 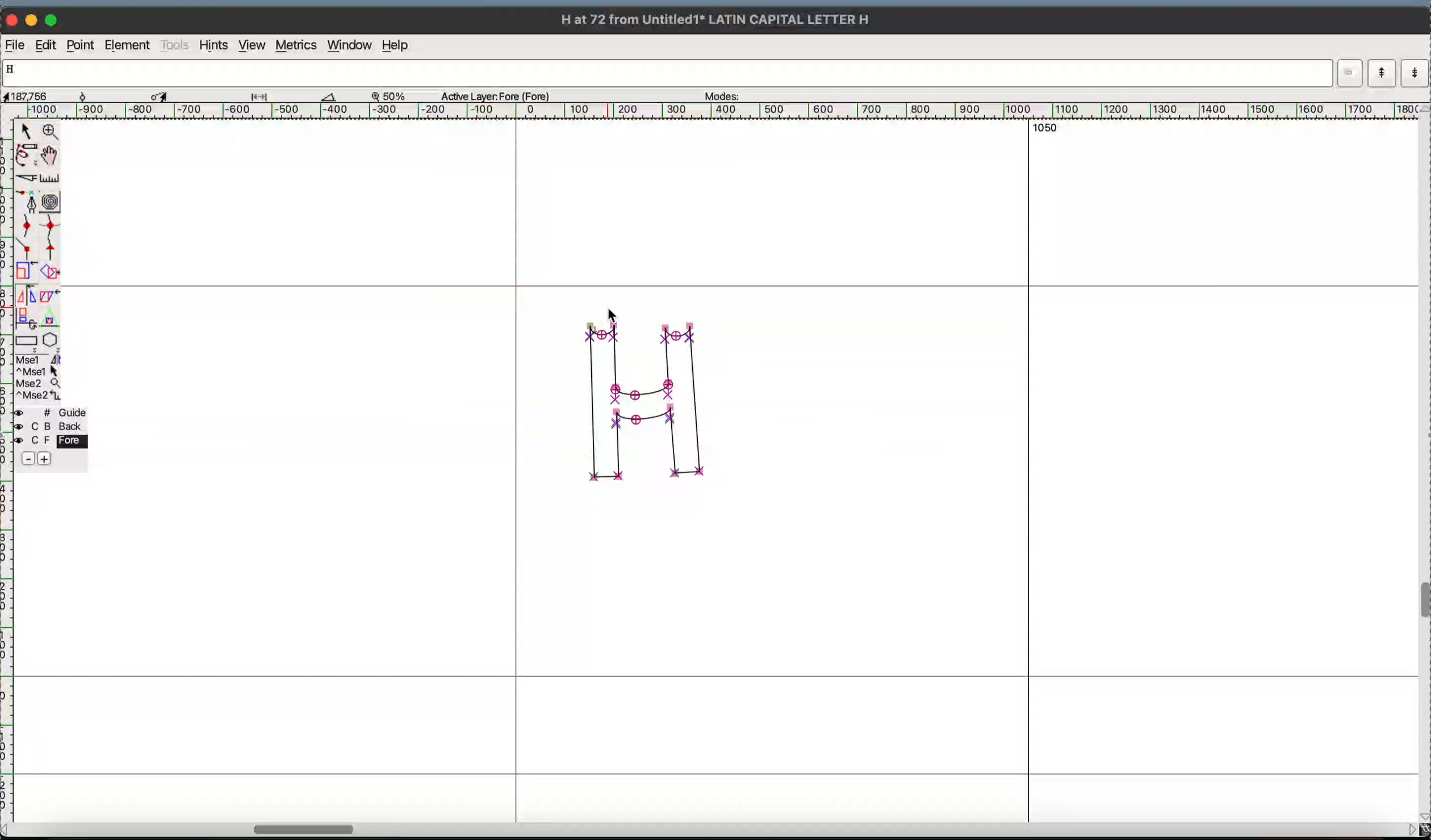 What do you see at coordinates (710, 830) in the screenshot?
I see `horizontal scrollbar` at bounding box center [710, 830].